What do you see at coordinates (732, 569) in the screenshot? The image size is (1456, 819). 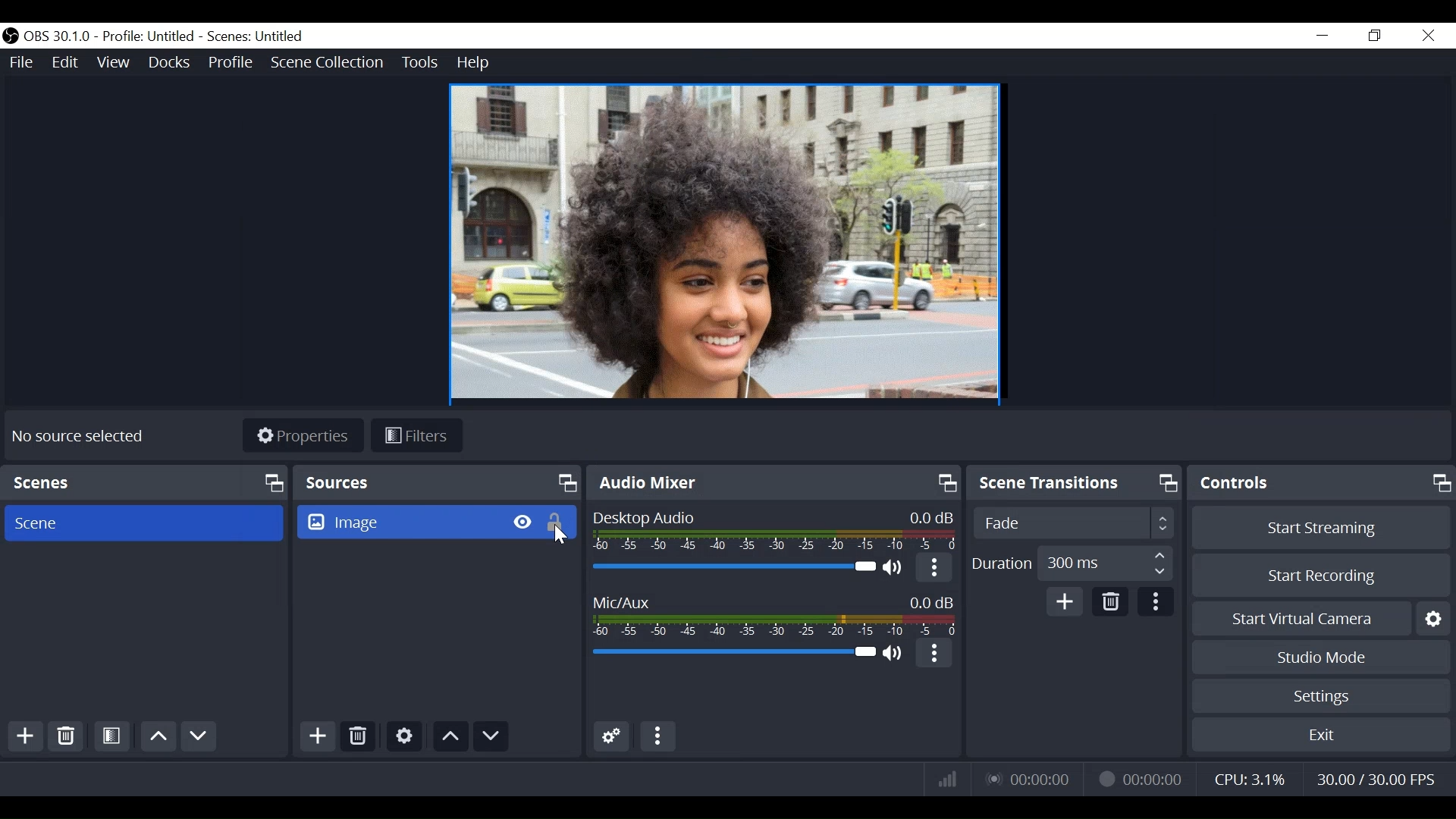 I see `Adjust Desktop Icon Slider` at bounding box center [732, 569].